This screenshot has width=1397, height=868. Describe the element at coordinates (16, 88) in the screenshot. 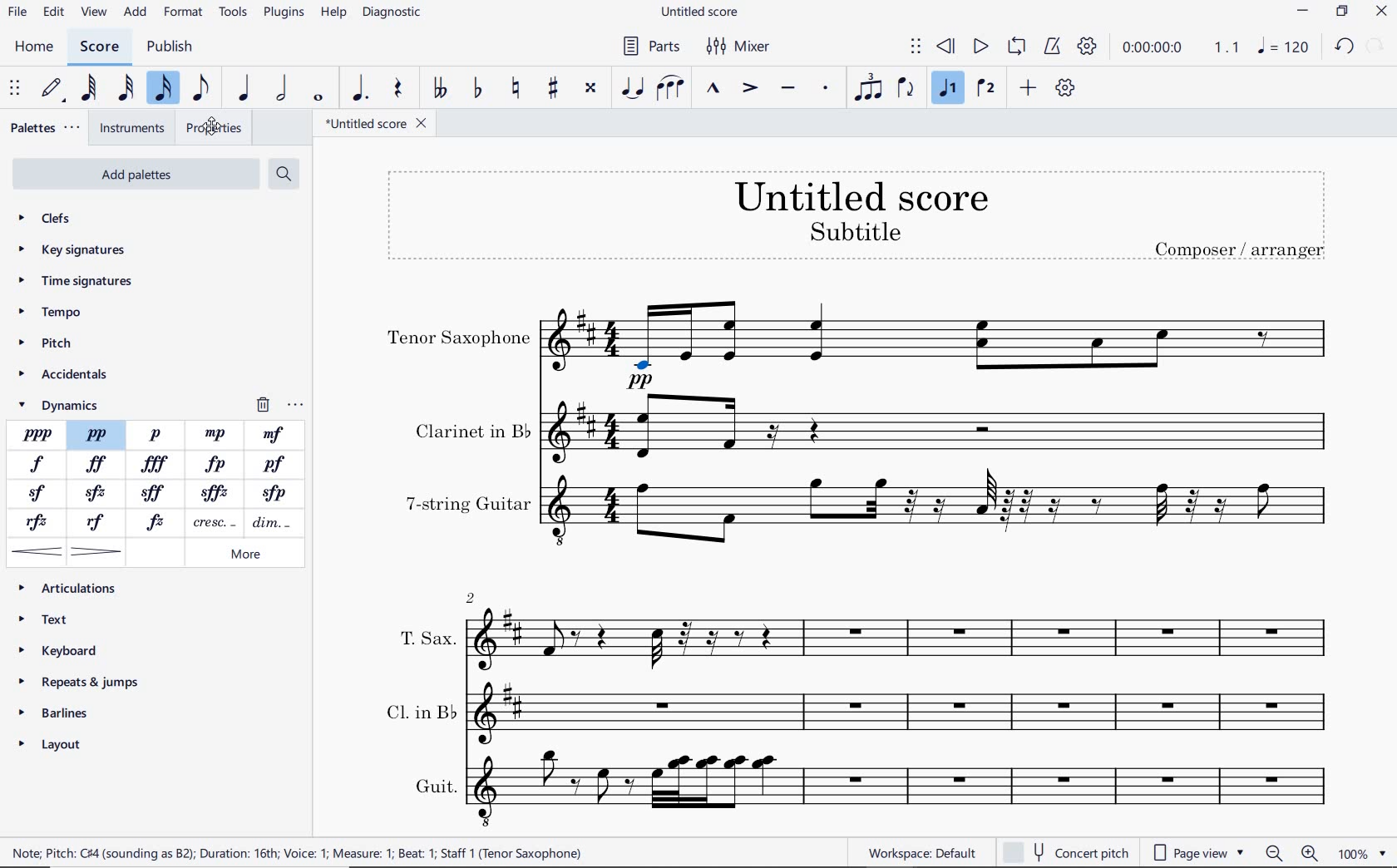

I see `SELECT TO MOVE` at that location.